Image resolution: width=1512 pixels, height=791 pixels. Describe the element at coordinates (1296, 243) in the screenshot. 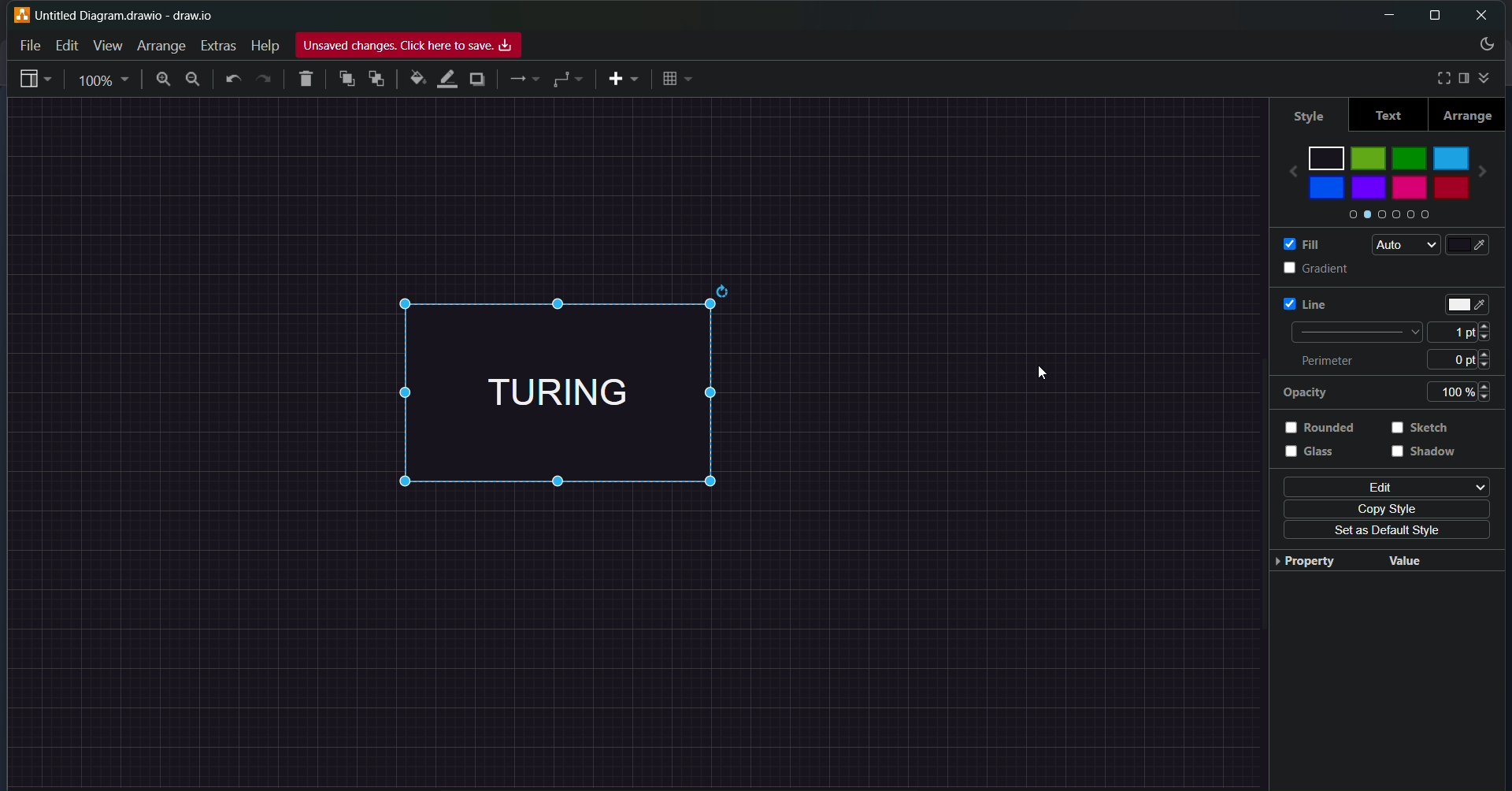

I see `fill` at that location.